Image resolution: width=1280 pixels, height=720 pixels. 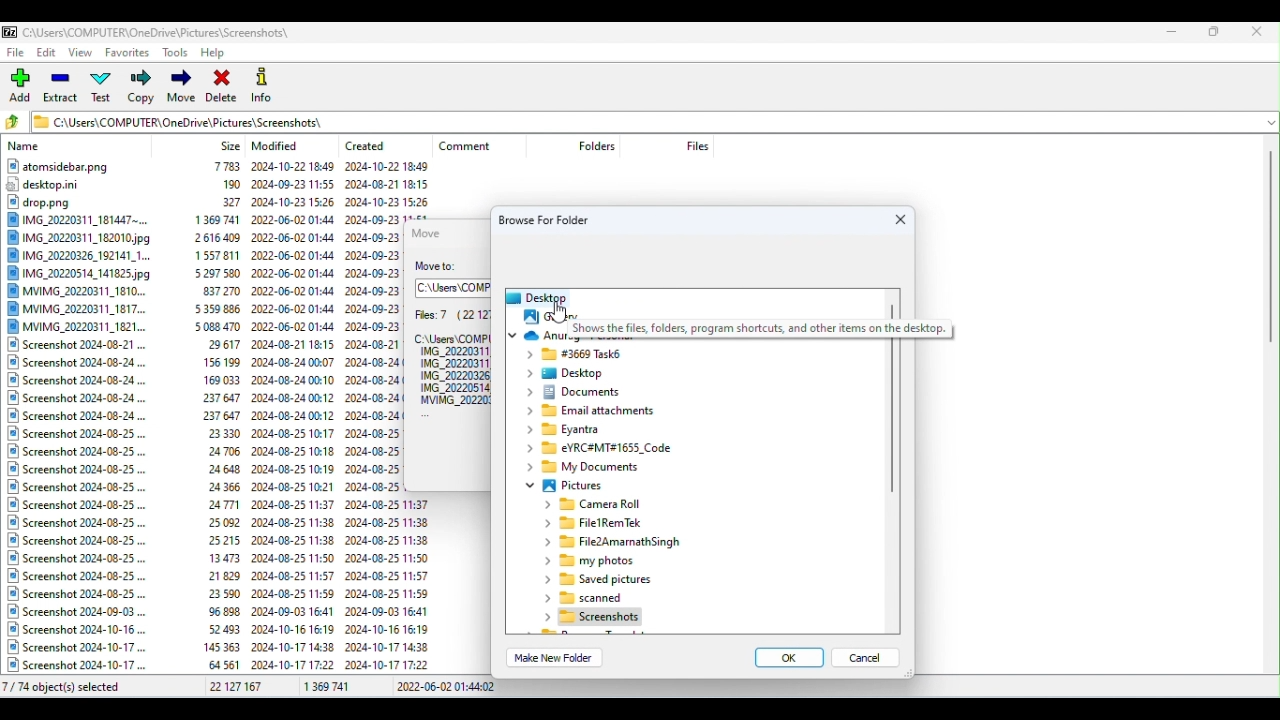 I want to click on Close, so click(x=900, y=220).